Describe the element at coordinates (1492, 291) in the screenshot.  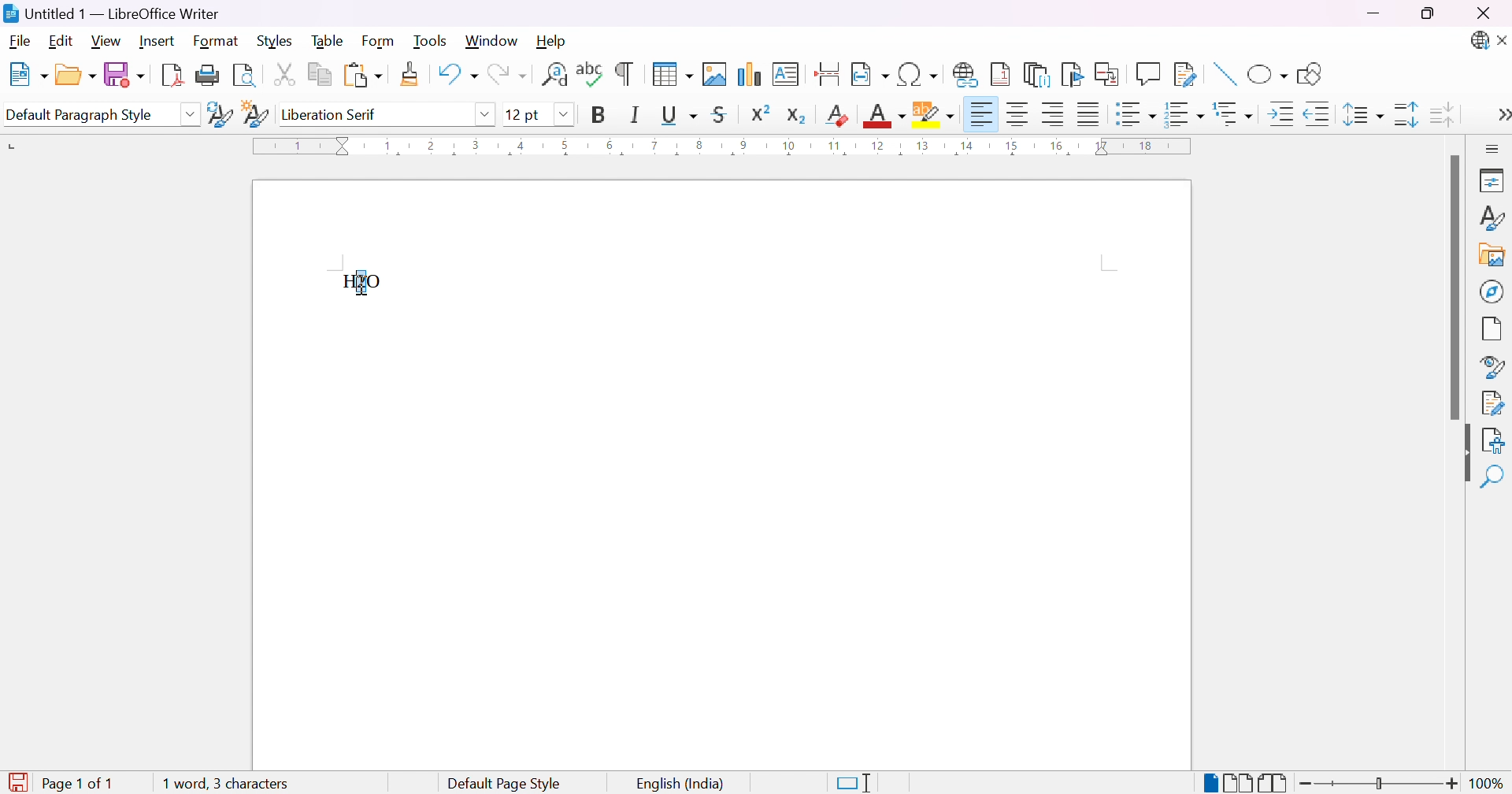
I see `Navigator` at that location.